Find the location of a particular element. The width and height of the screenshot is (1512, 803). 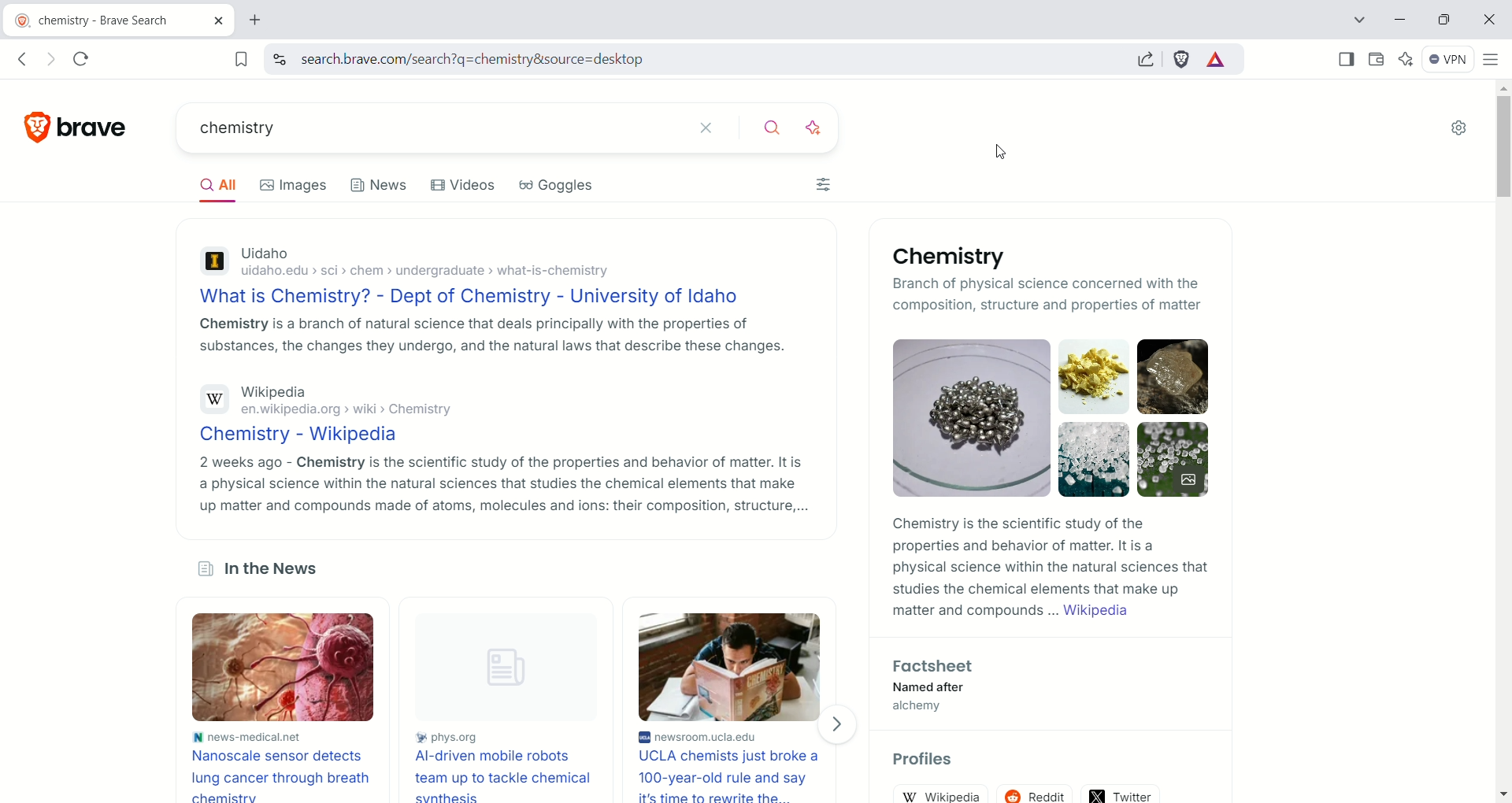

What is chemistry? - Dept of Chemistry - University of Idaho is located at coordinates (487, 298).